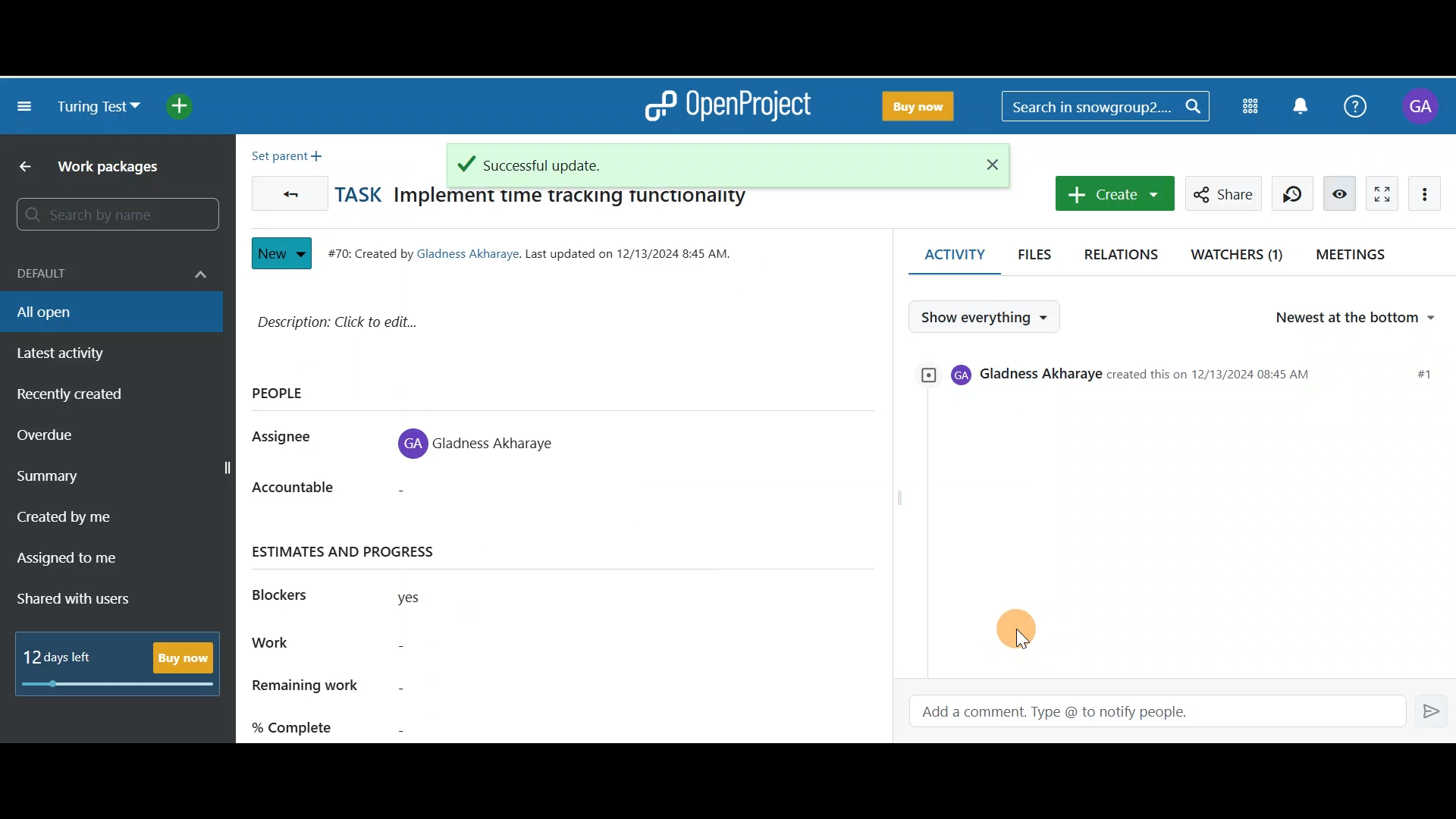 This screenshot has width=1456, height=819. Describe the element at coordinates (290, 592) in the screenshot. I see `Blockers` at that location.